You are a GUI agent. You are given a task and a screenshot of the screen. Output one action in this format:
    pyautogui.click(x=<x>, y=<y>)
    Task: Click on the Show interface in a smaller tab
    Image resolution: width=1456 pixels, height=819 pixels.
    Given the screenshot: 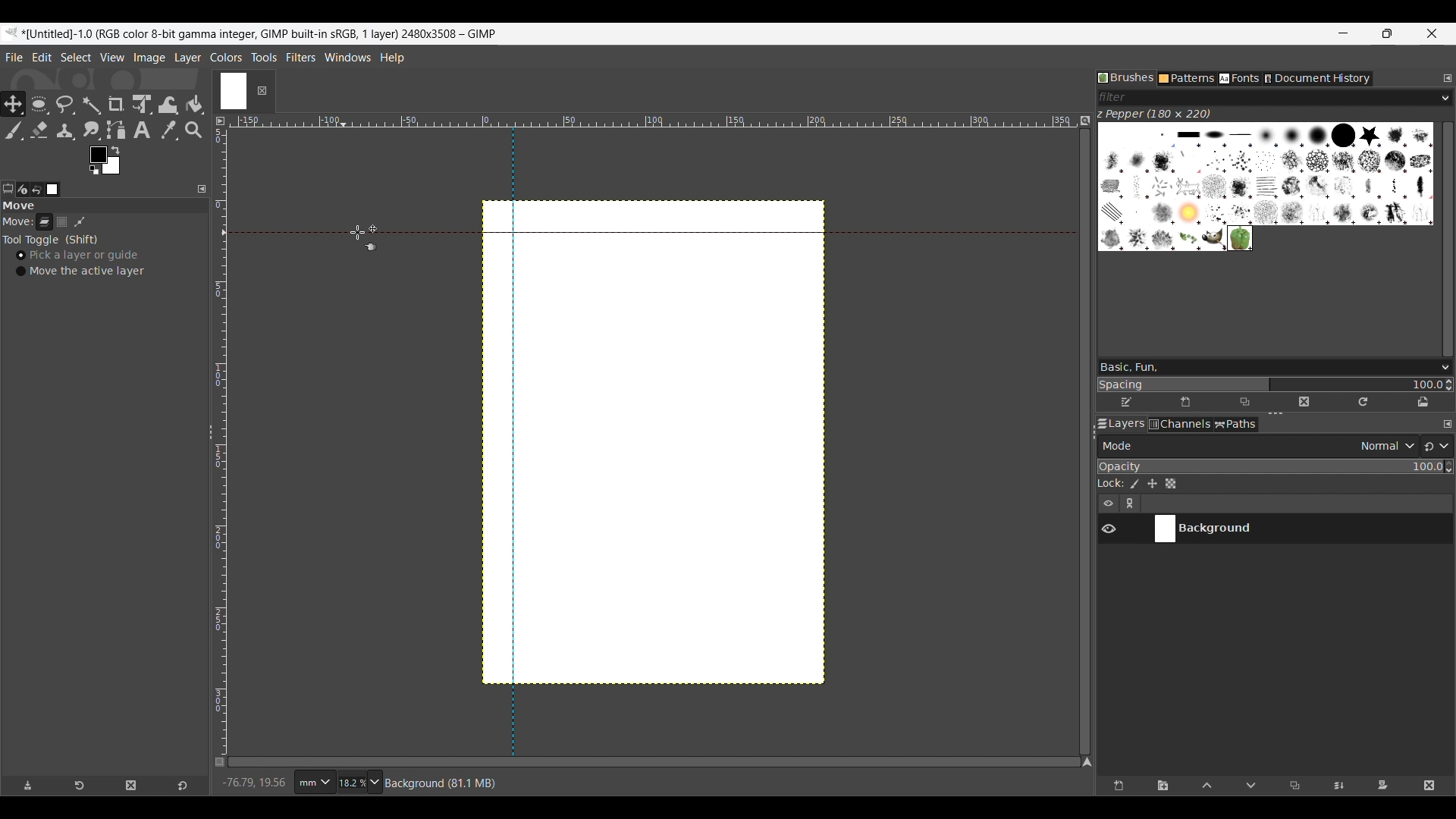 What is the action you would take?
    pyautogui.click(x=1387, y=33)
    